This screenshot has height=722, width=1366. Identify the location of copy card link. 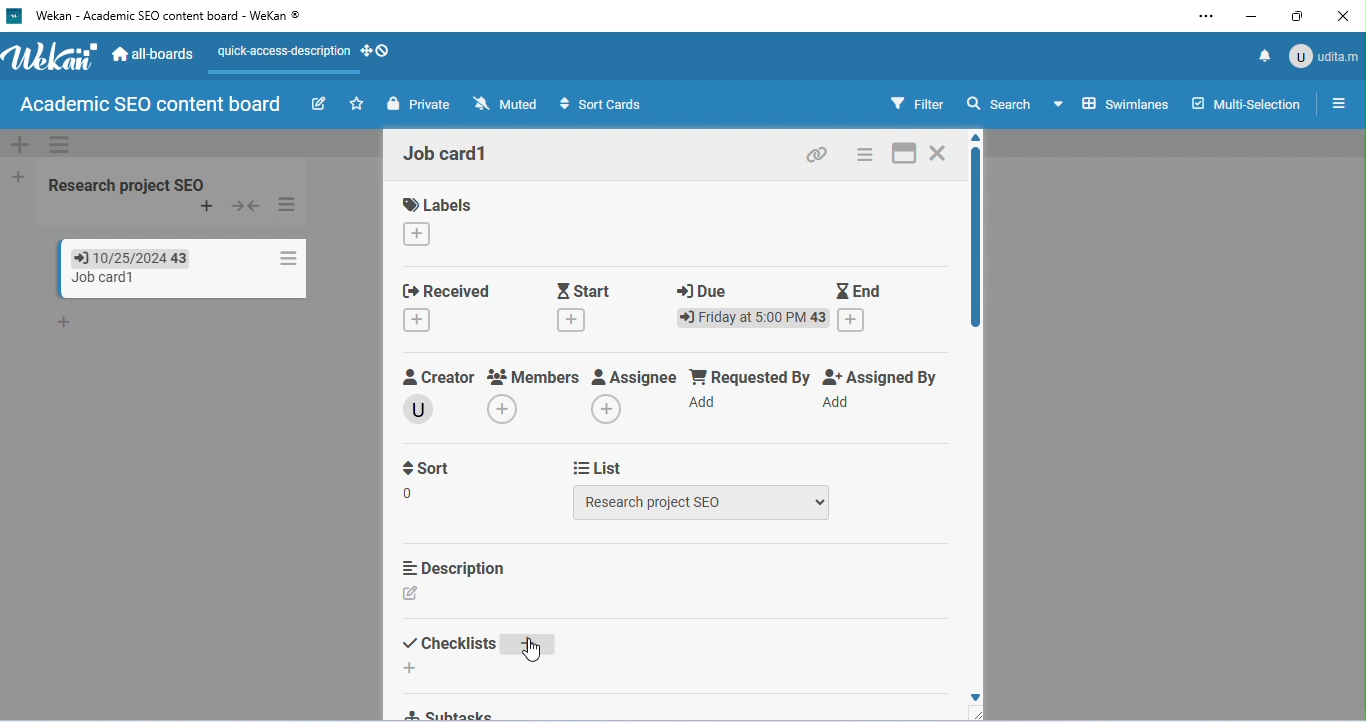
(817, 156).